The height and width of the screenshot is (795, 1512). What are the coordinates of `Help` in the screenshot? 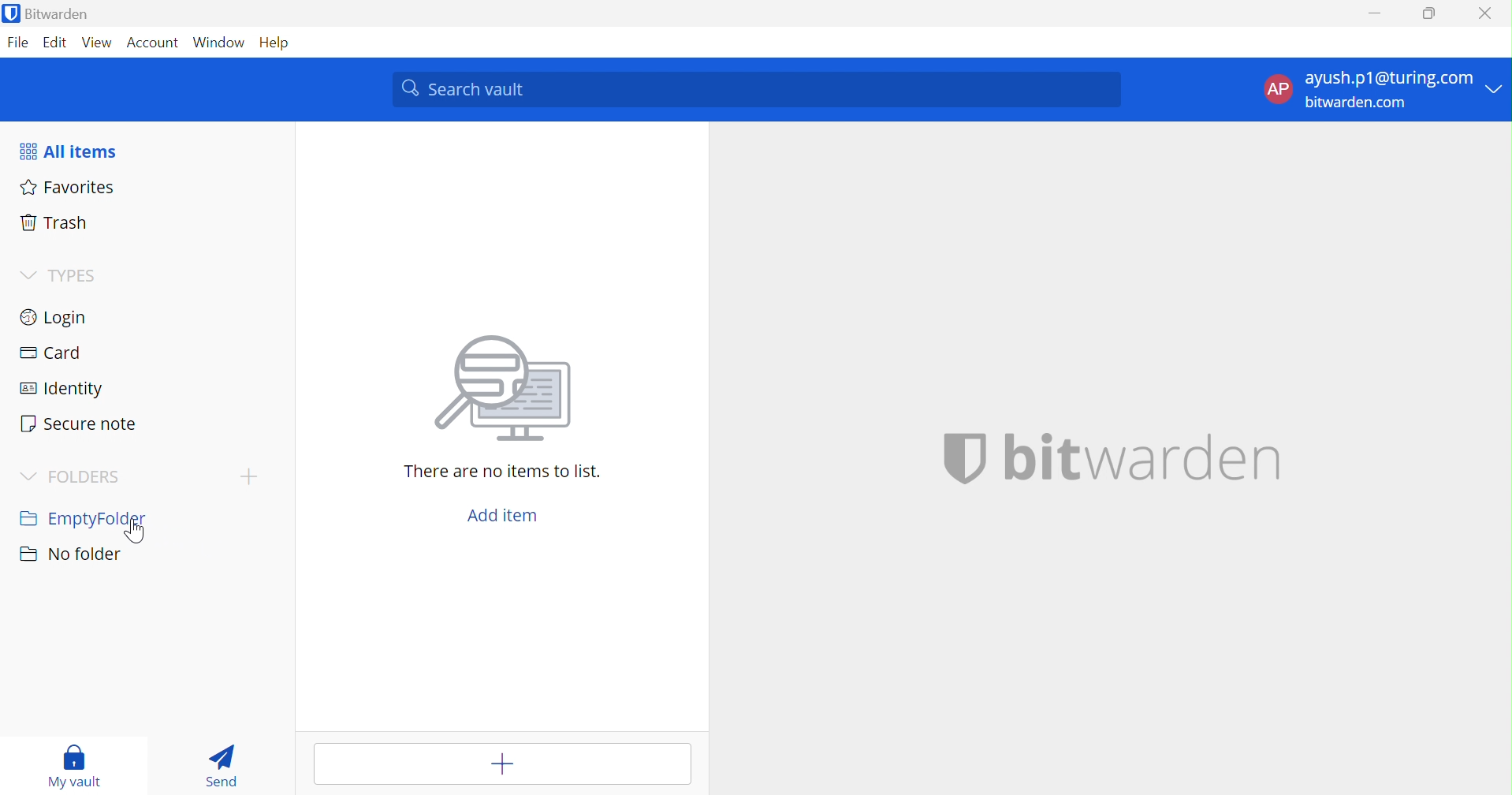 It's located at (283, 43).